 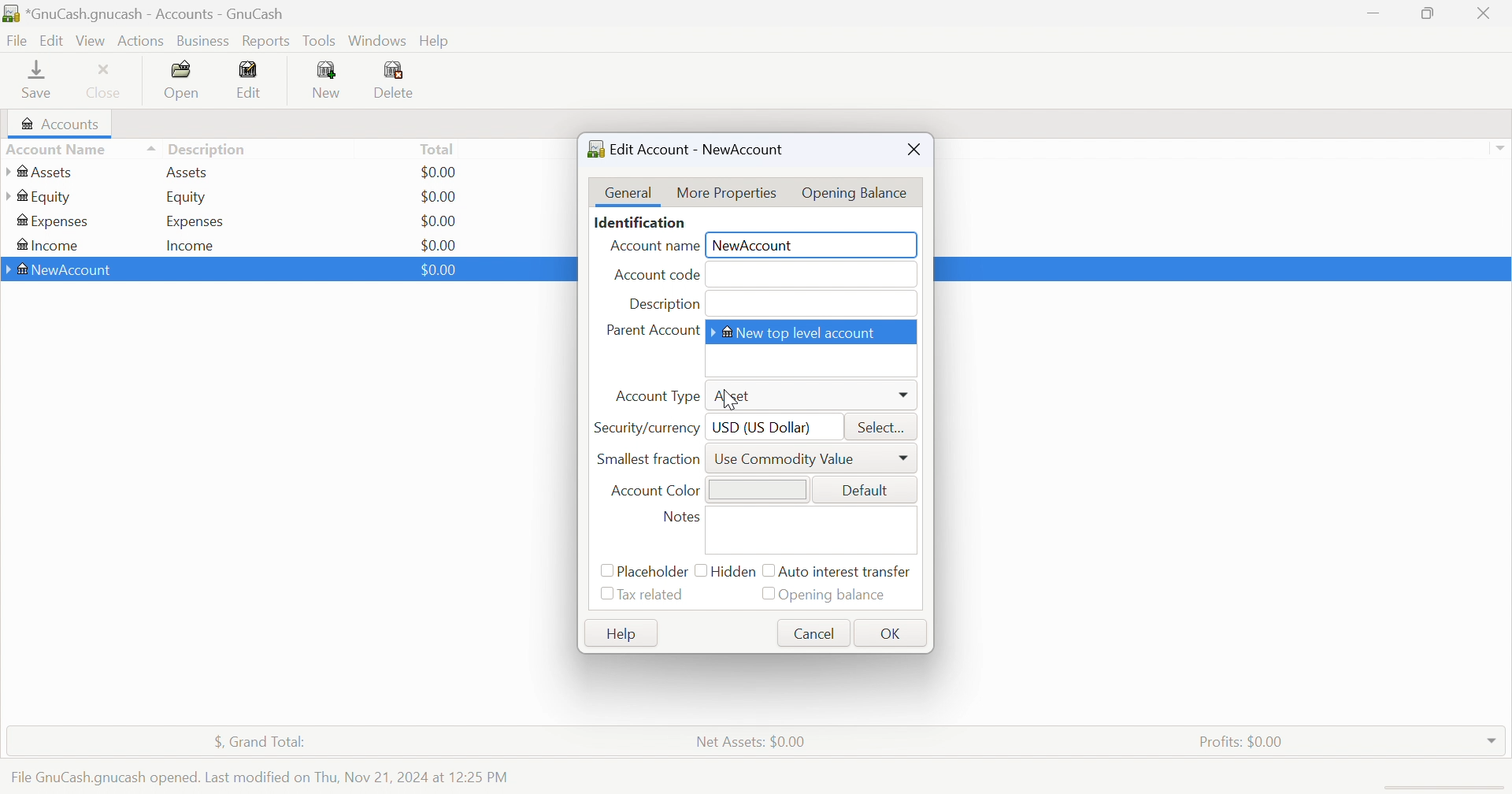 What do you see at coordinates (1244, 742) in the screenshot?
I see `Profits: $0.00` at bounding box center [1244, 742].